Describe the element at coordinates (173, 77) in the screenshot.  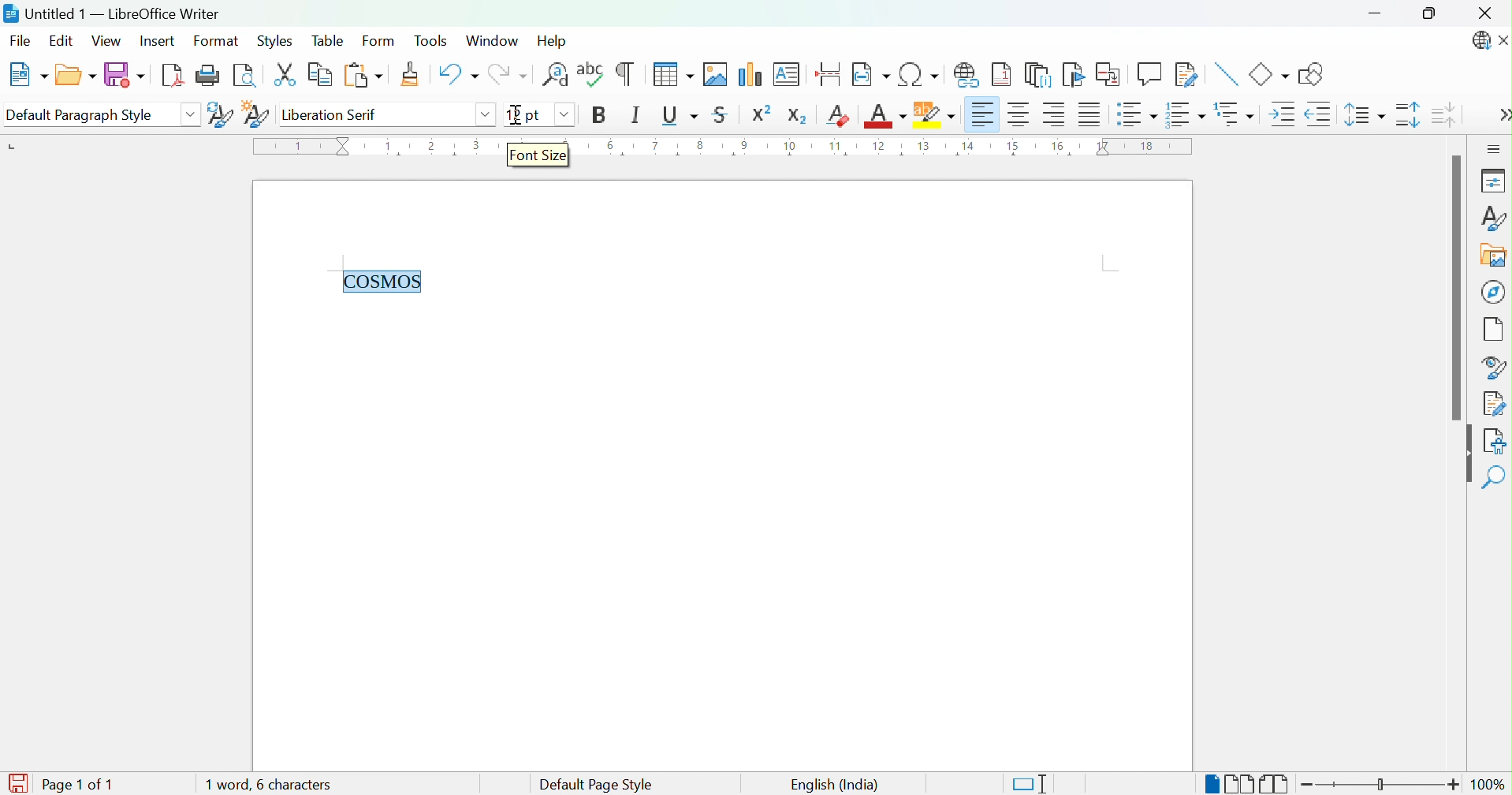
I see `Export as PDF` at that location.